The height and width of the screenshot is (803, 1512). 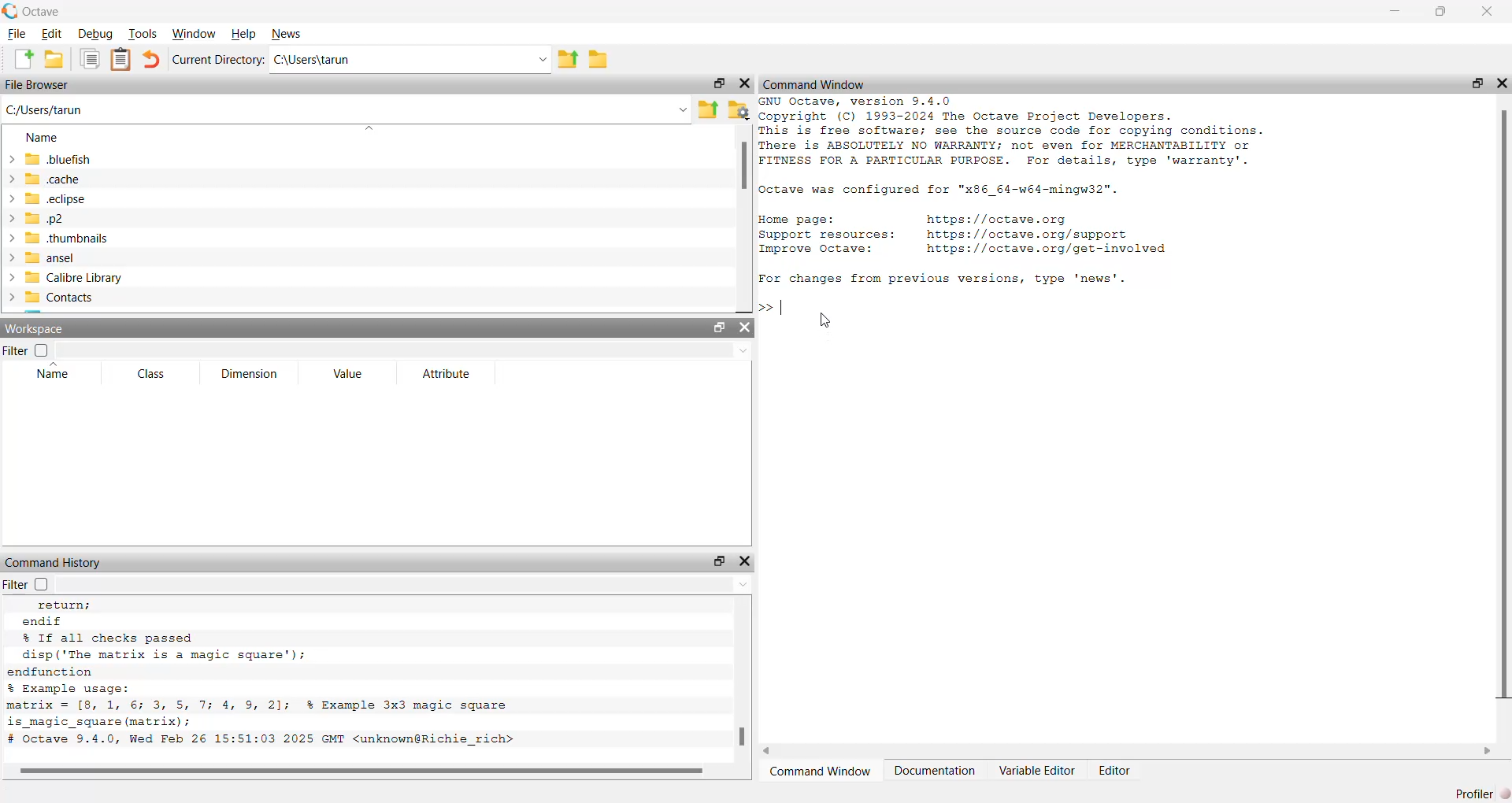 What do you see at coordinates (1116, 770) in the screenshot?
I see `Editor` at bounding box center [1116, 770].